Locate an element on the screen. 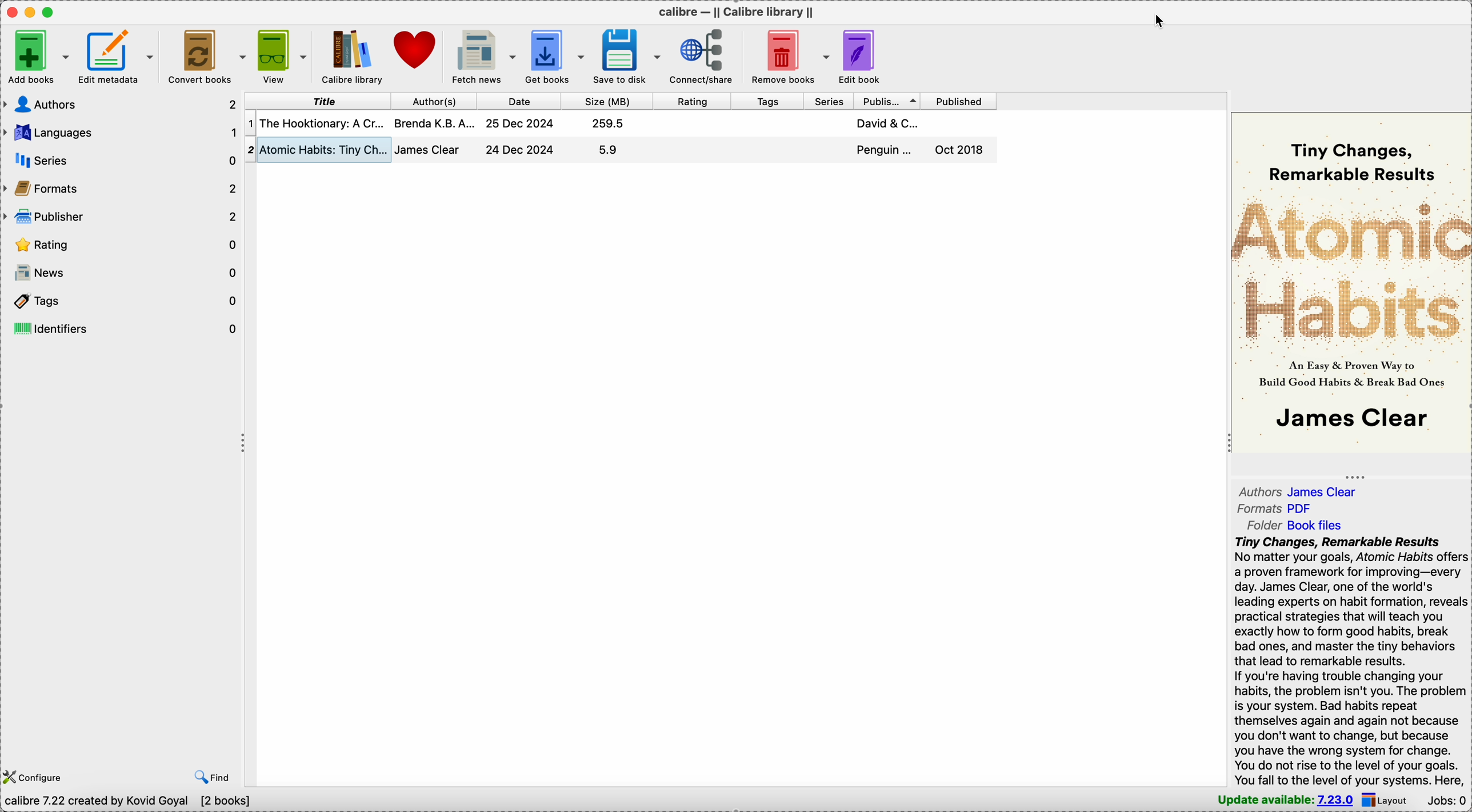 Image resolution: width=1472 pixels, height=812 pixels. connect/share is located at coordinates (705, 55).